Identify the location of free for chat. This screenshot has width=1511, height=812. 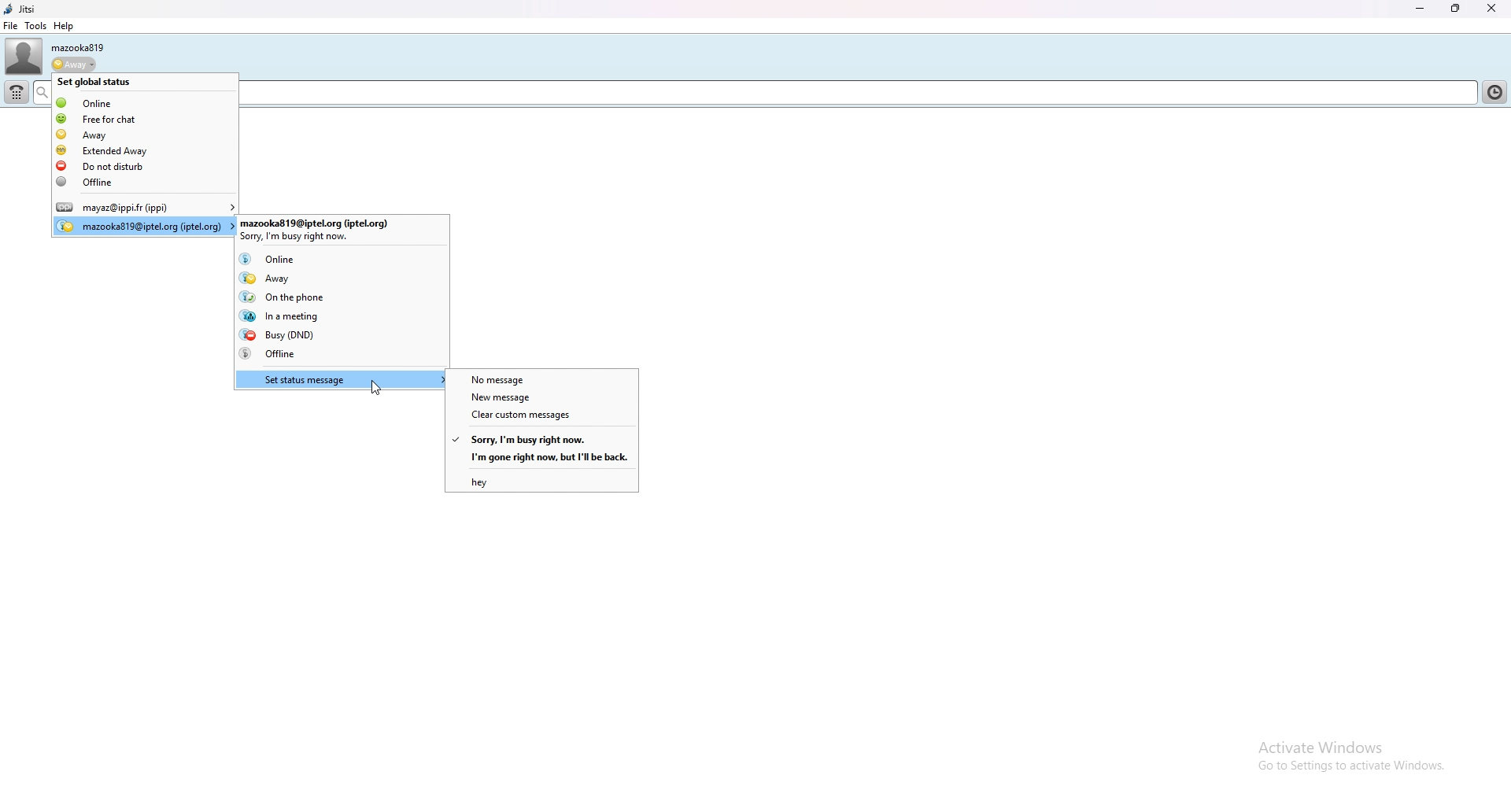
(146, 119).